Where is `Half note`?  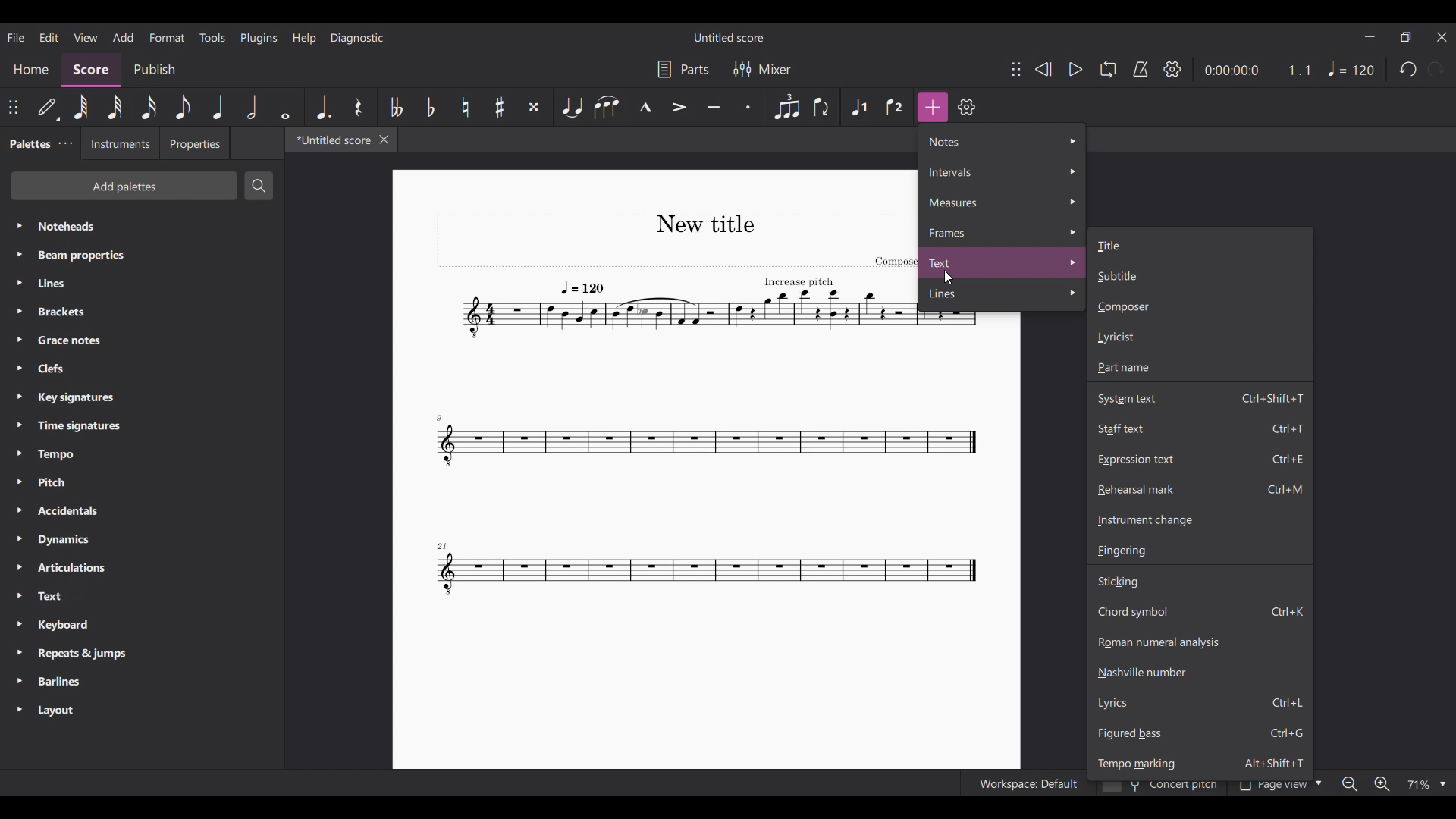 Half note is located at coordinates (252, 107).